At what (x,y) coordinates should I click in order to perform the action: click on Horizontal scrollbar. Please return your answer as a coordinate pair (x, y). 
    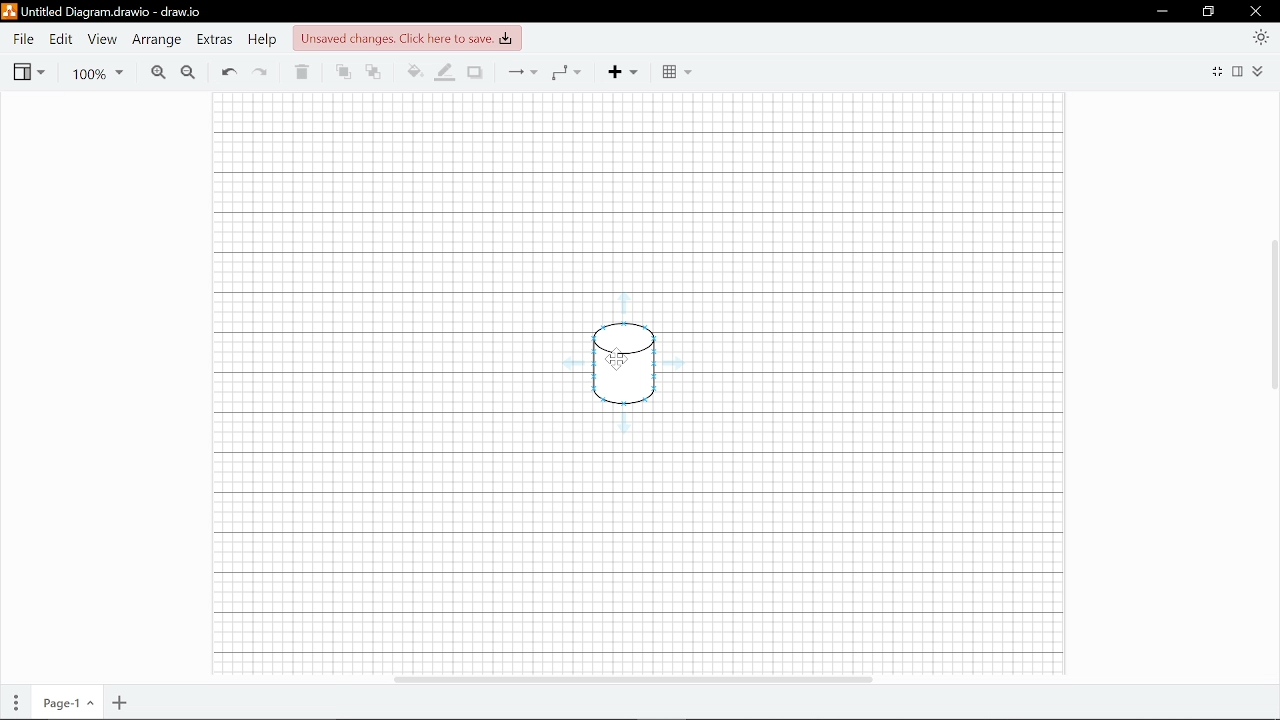
    Looking at the image, I should click on (633, 678).